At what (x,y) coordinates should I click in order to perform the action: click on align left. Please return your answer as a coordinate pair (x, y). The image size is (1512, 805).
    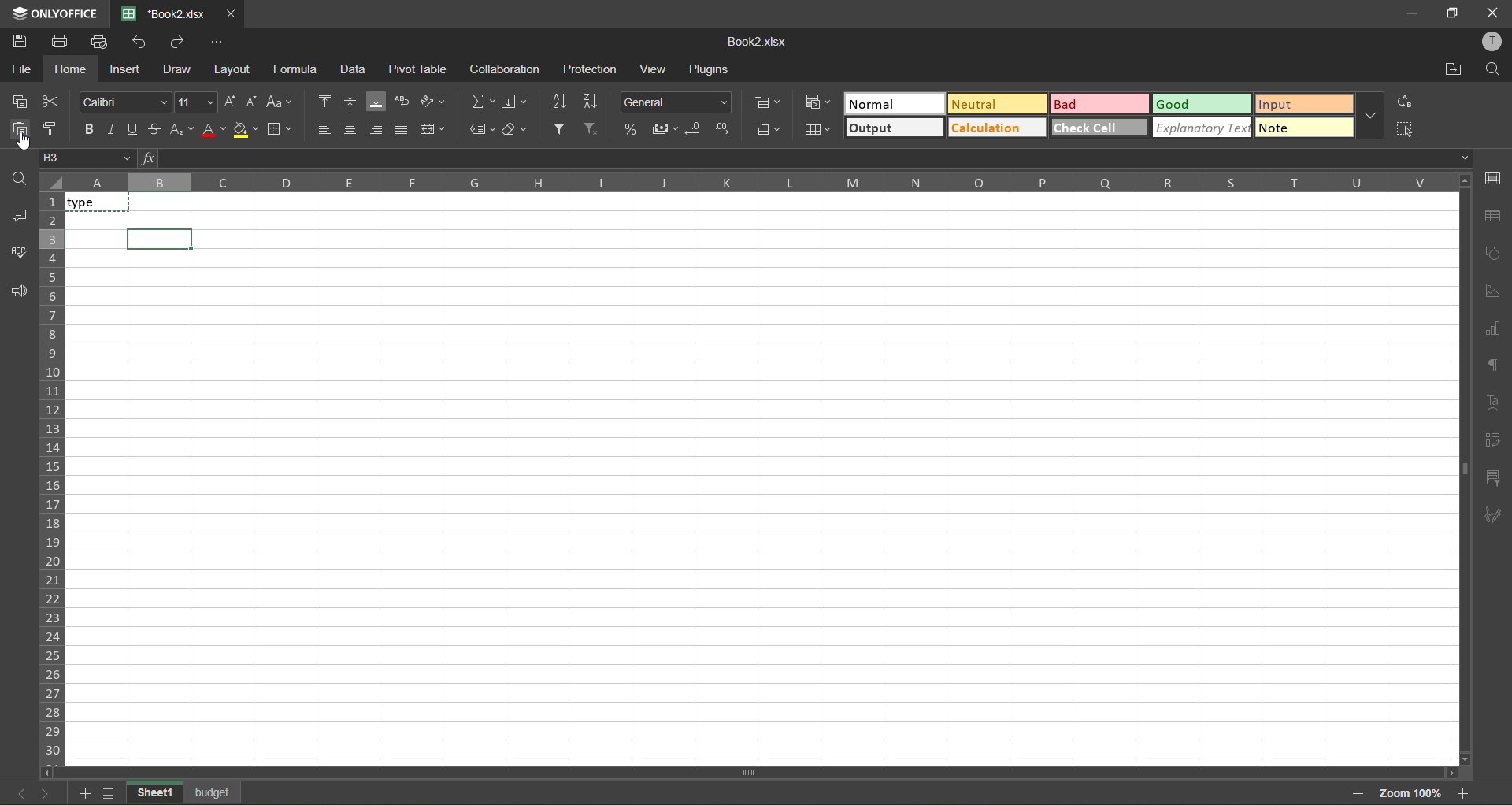
    Looking at the image, I should click on (325, 128).